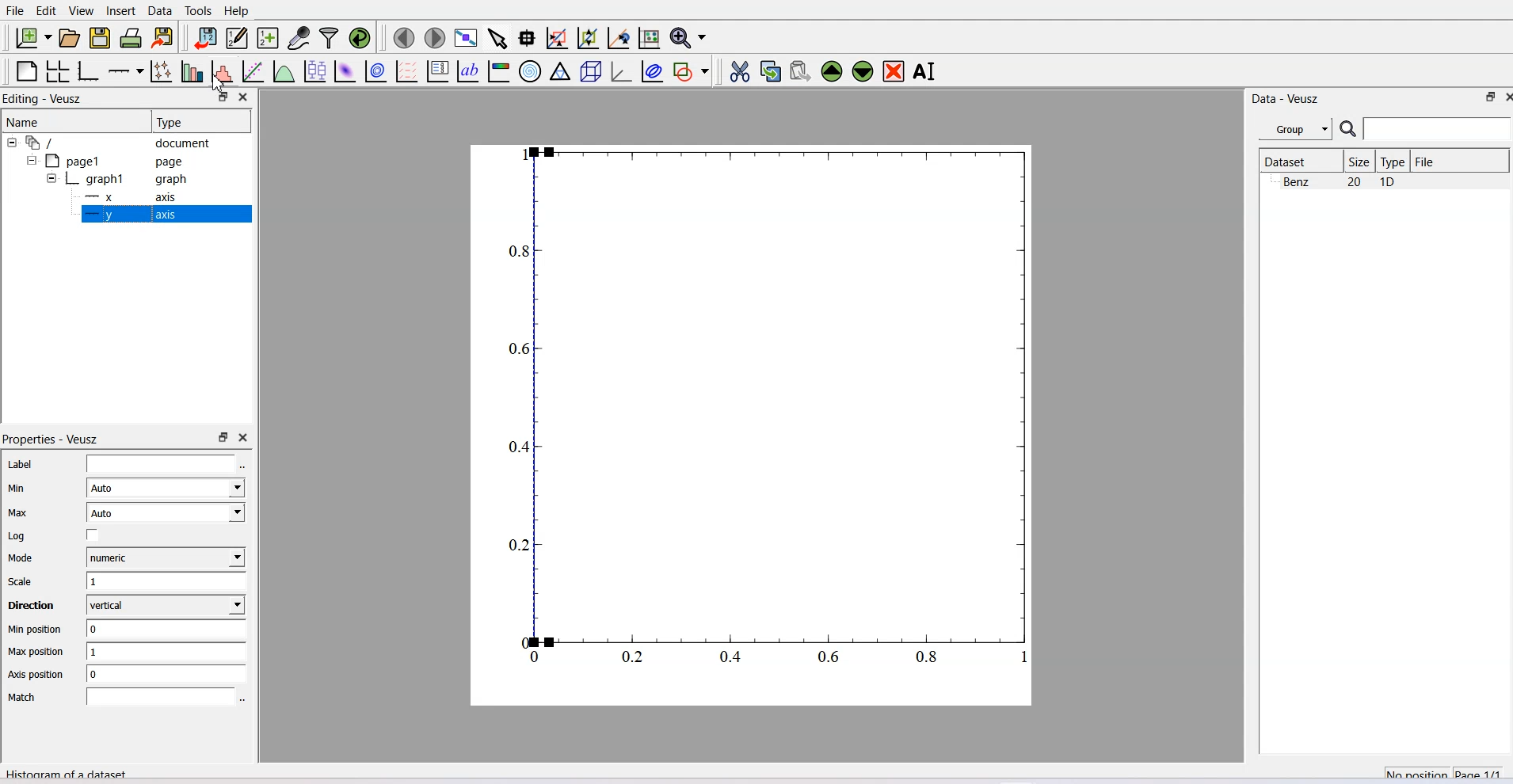  What do you see at coordinates (125, 71) in the screenshot?
I see `Add an axis to the Plot` at bounding box center [125, 71].